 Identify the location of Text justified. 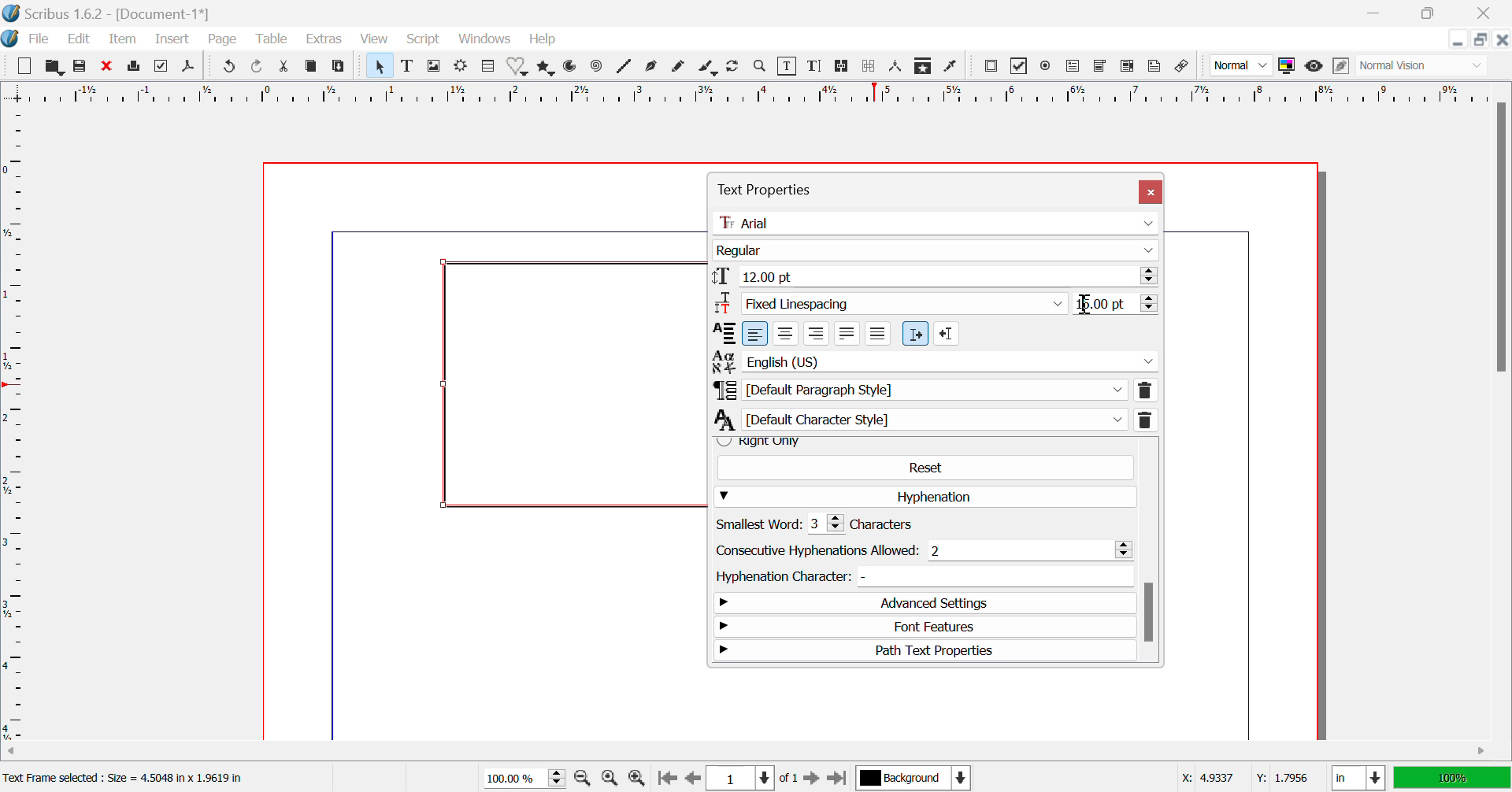
(847, 334).